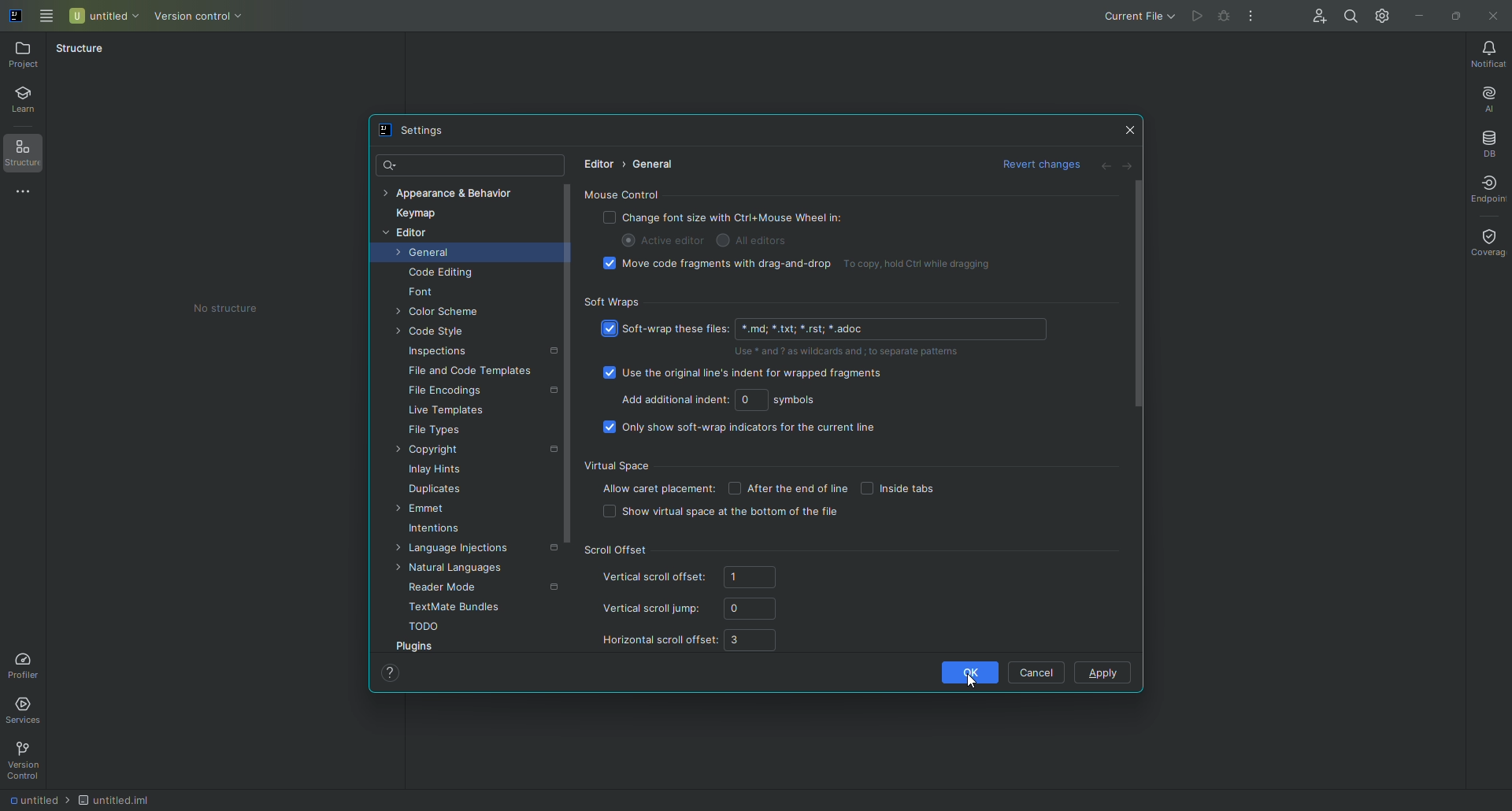  I want to click on General, so click(654, 165).